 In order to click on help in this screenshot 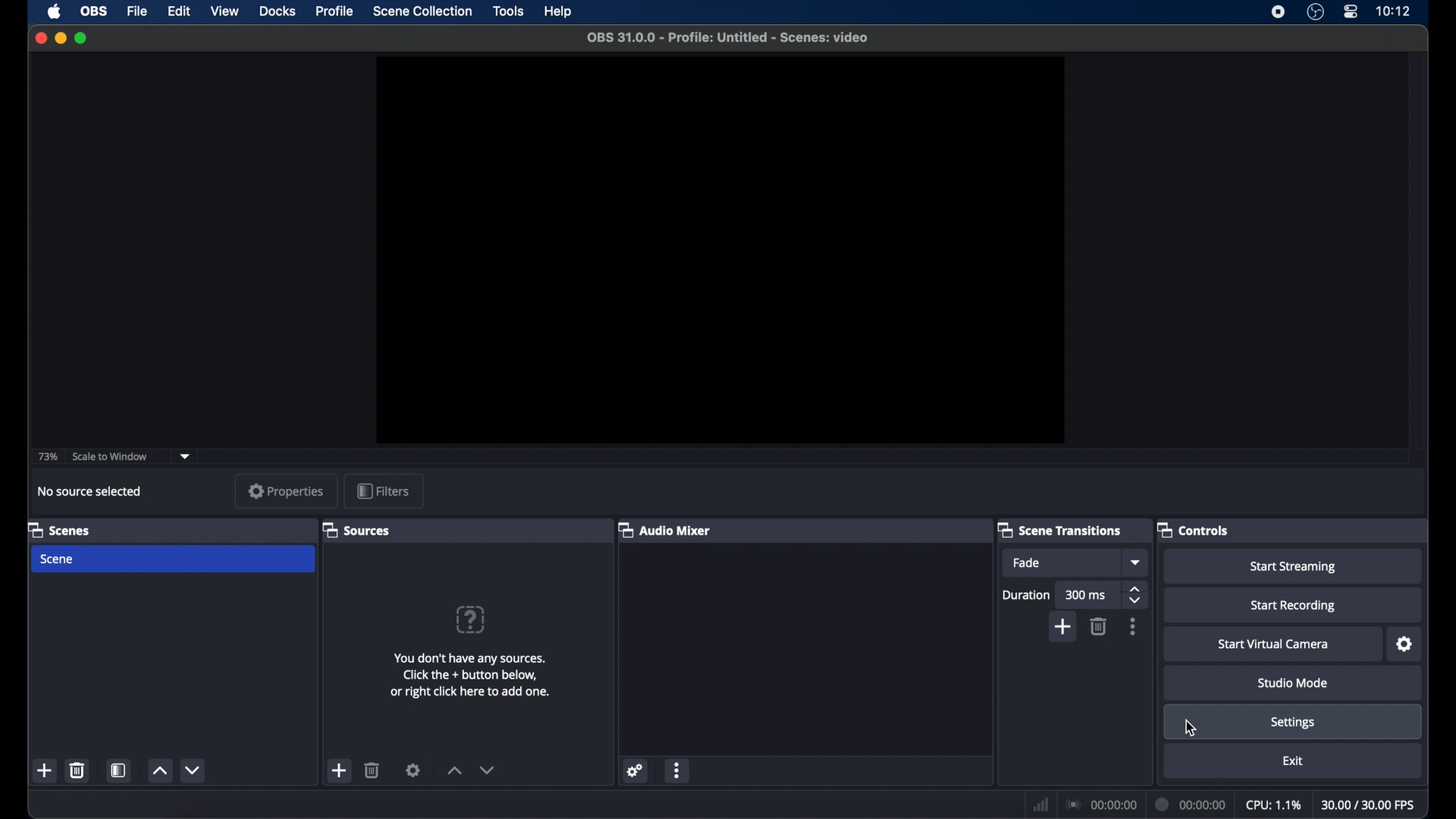, I will do `click(560, 12)`.